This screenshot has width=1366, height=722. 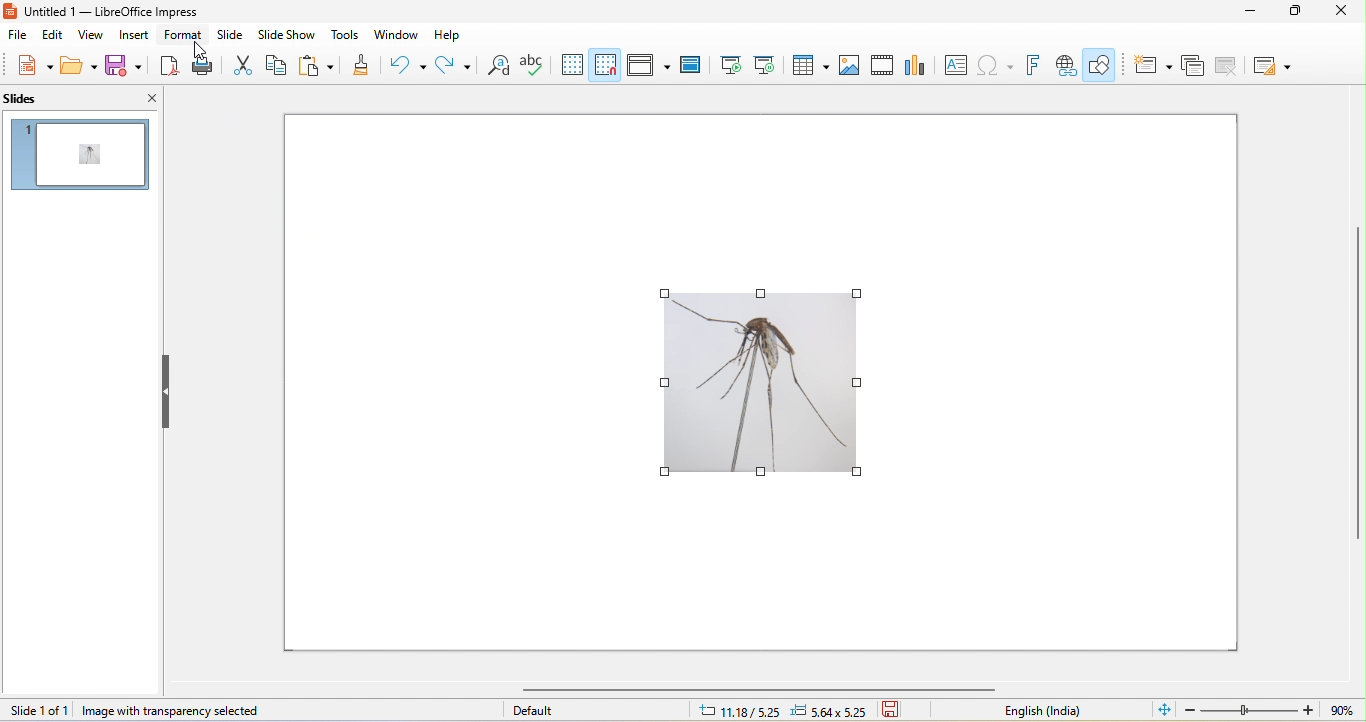 I want to click on undo, so click(x=404, y=66).